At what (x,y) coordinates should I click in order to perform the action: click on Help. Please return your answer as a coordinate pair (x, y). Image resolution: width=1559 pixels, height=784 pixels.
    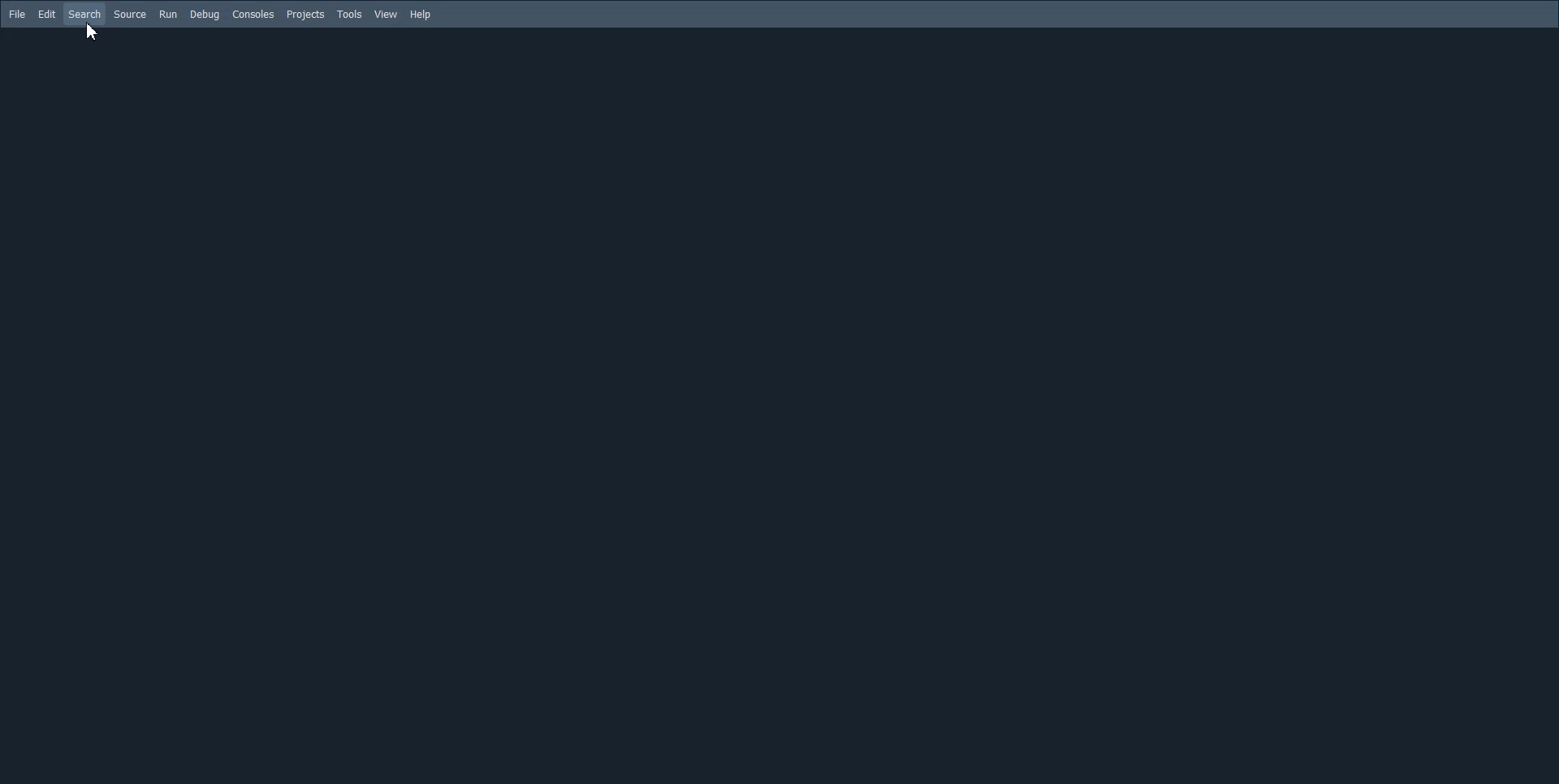
    Looking at the image, I should click on (420, 15).